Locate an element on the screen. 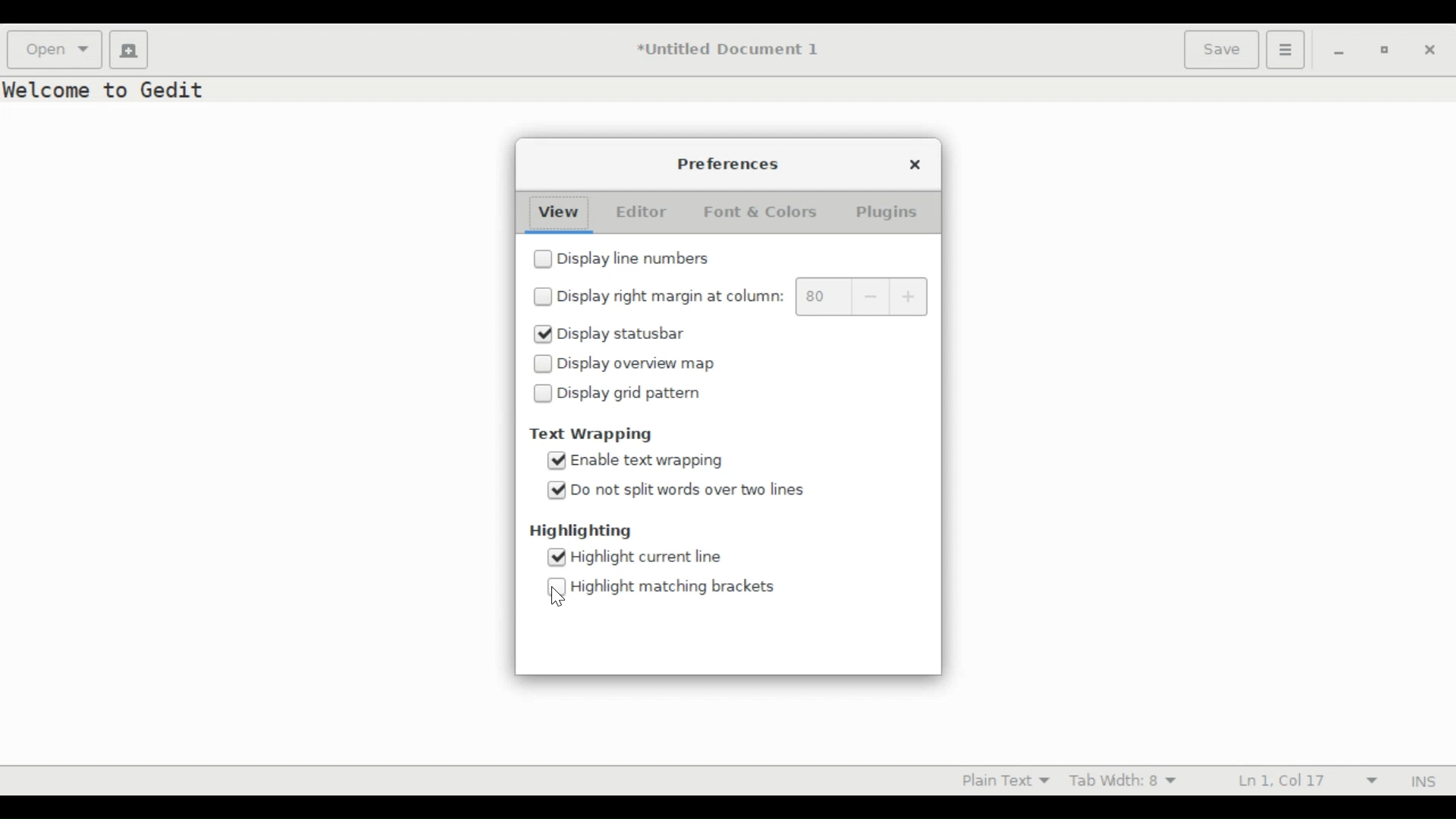  checkbox is located at coordinates (544, 259).